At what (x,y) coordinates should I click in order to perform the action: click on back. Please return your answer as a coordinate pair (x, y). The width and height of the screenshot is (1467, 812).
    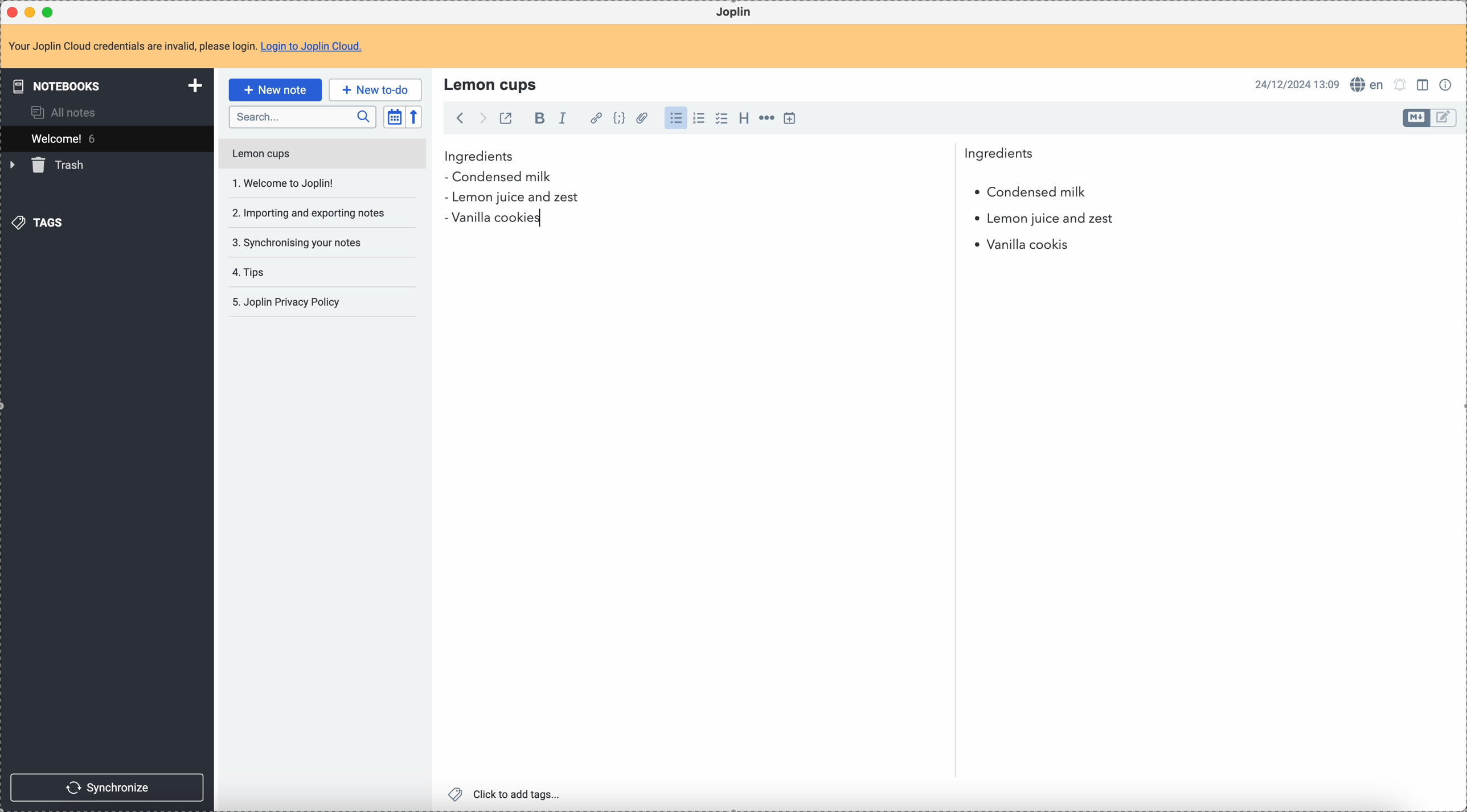
    Looking at the image, I should click on (460, 118).